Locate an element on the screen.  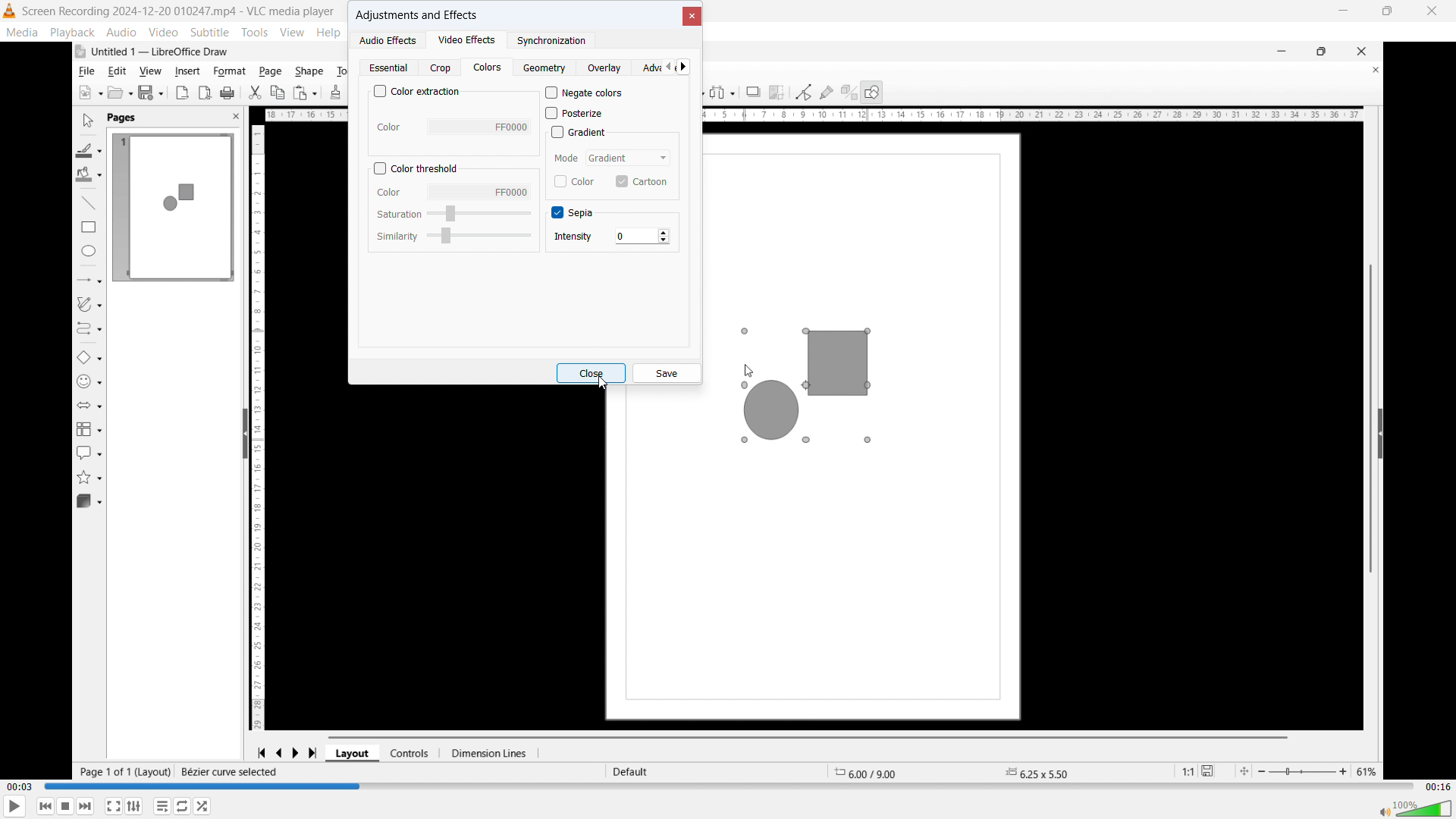
Stop playback  is located at coordinates (66, 806).